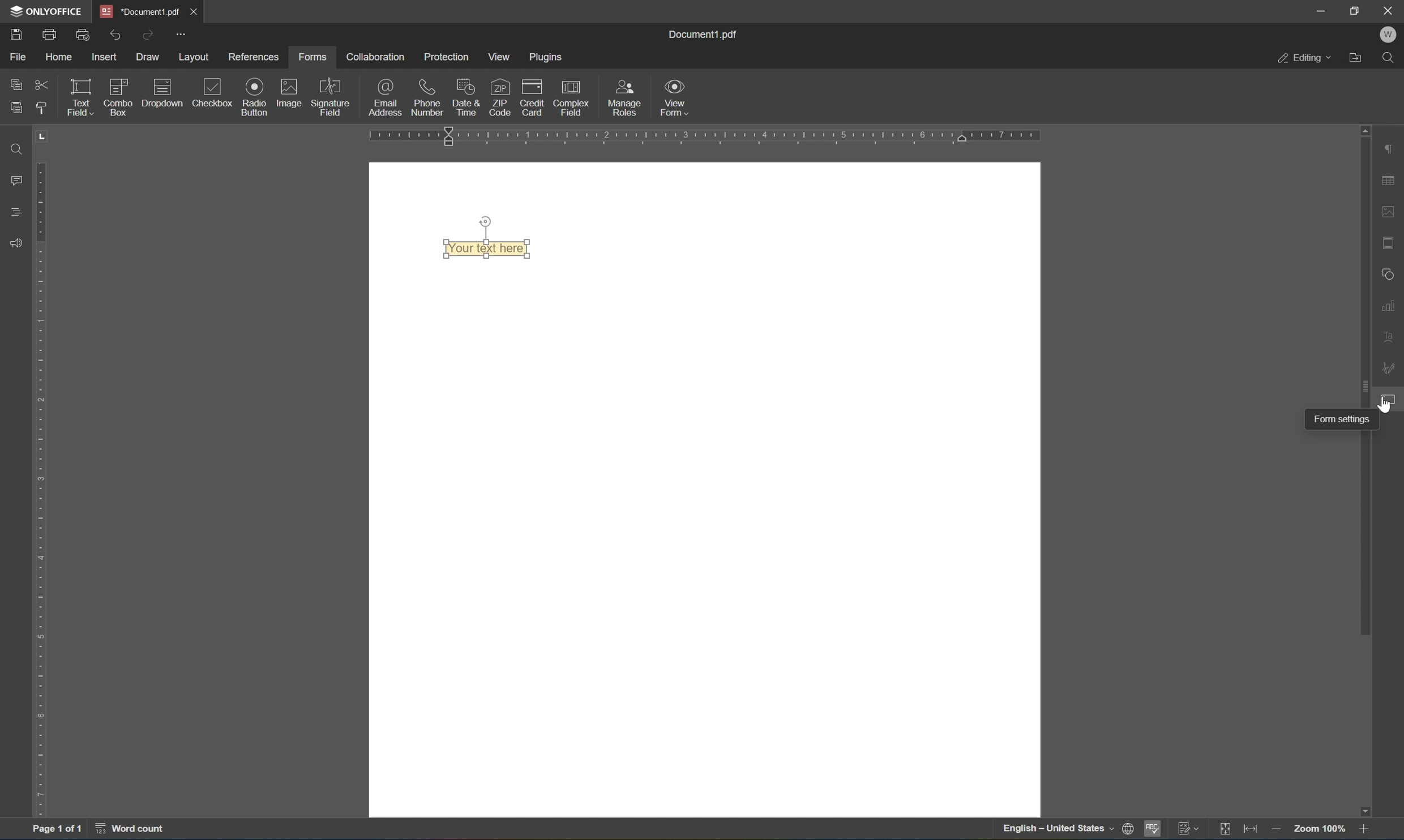 The height and width of the screenshot is (840, 1404). Describe the element at coordinates (48, 33) in the screenshot. I see `print` at that location.